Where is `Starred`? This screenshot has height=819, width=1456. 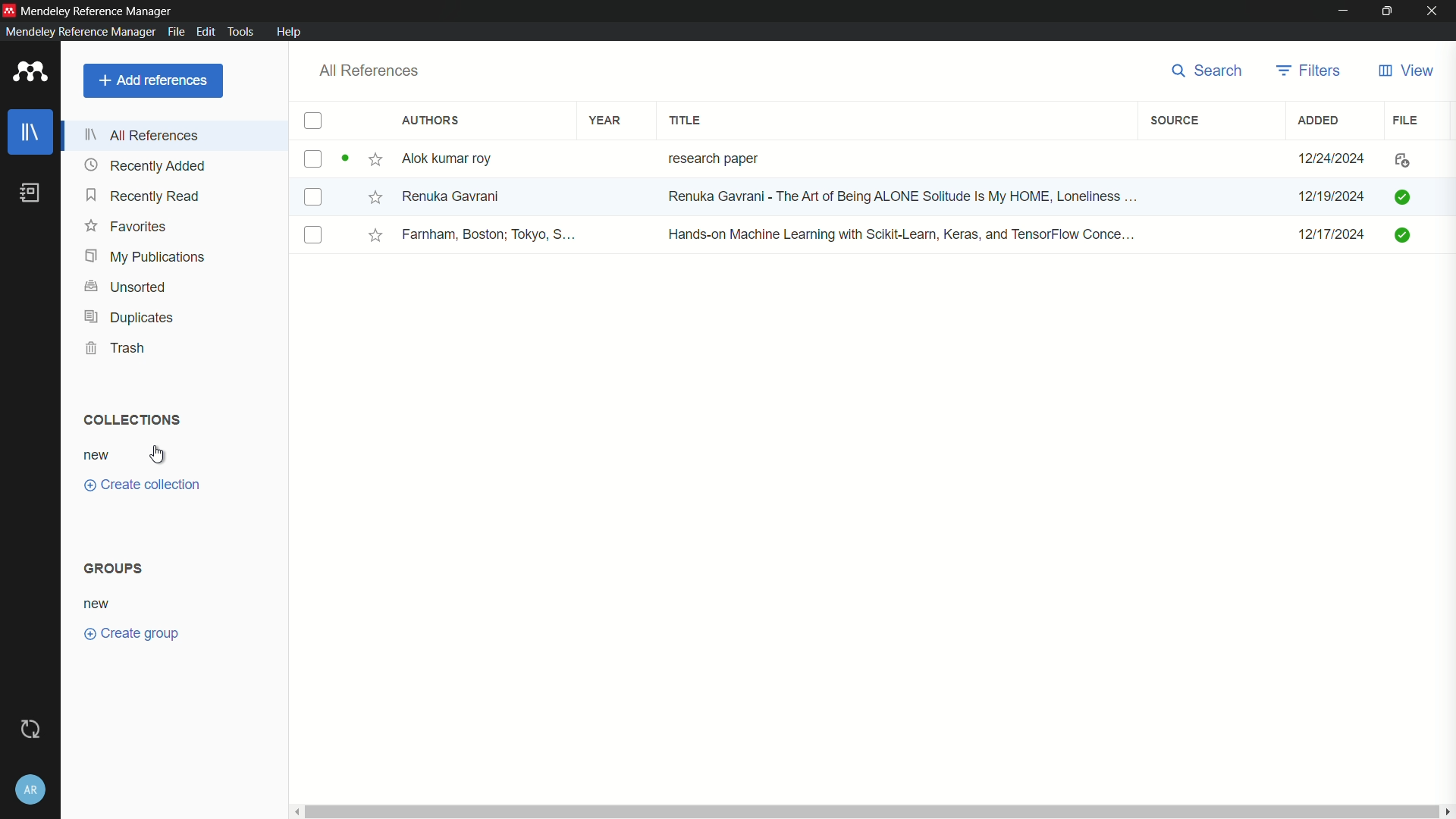 Starred is located at coordinates (372, 196).